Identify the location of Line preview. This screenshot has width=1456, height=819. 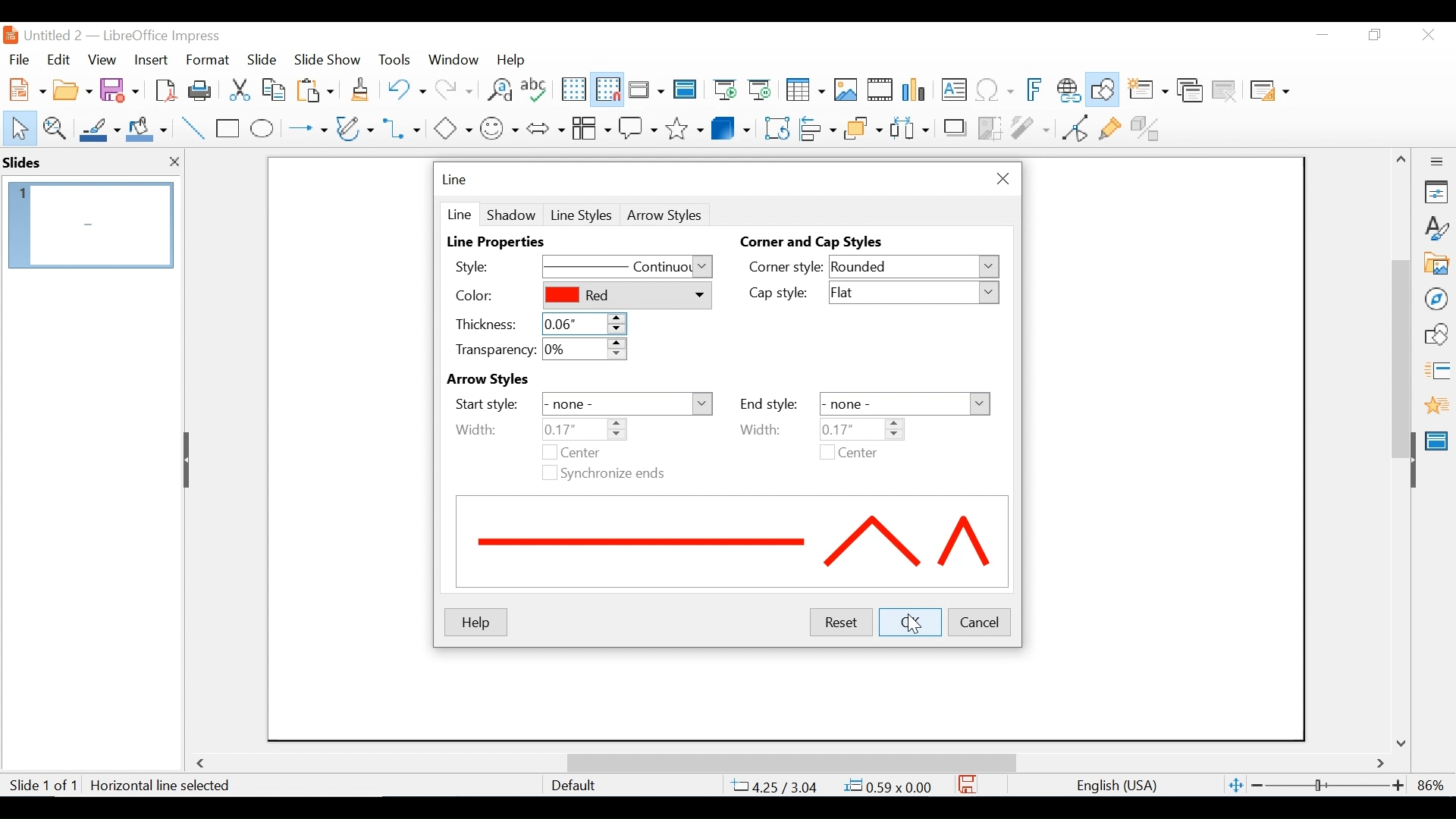
(733, 541).